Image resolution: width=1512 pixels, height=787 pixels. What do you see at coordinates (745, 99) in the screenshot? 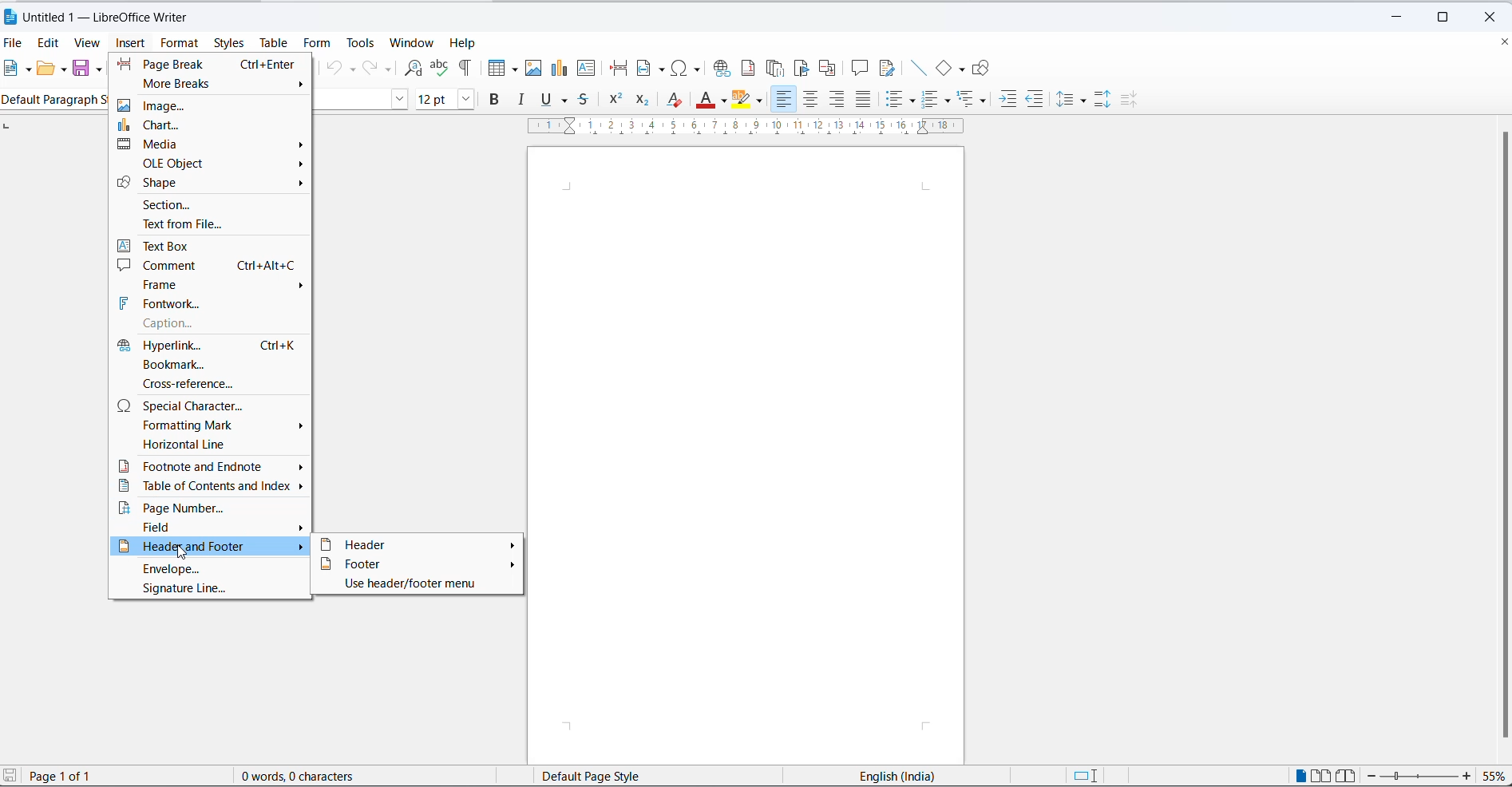
I see `character highlighting` at bounding box center [745, 99].